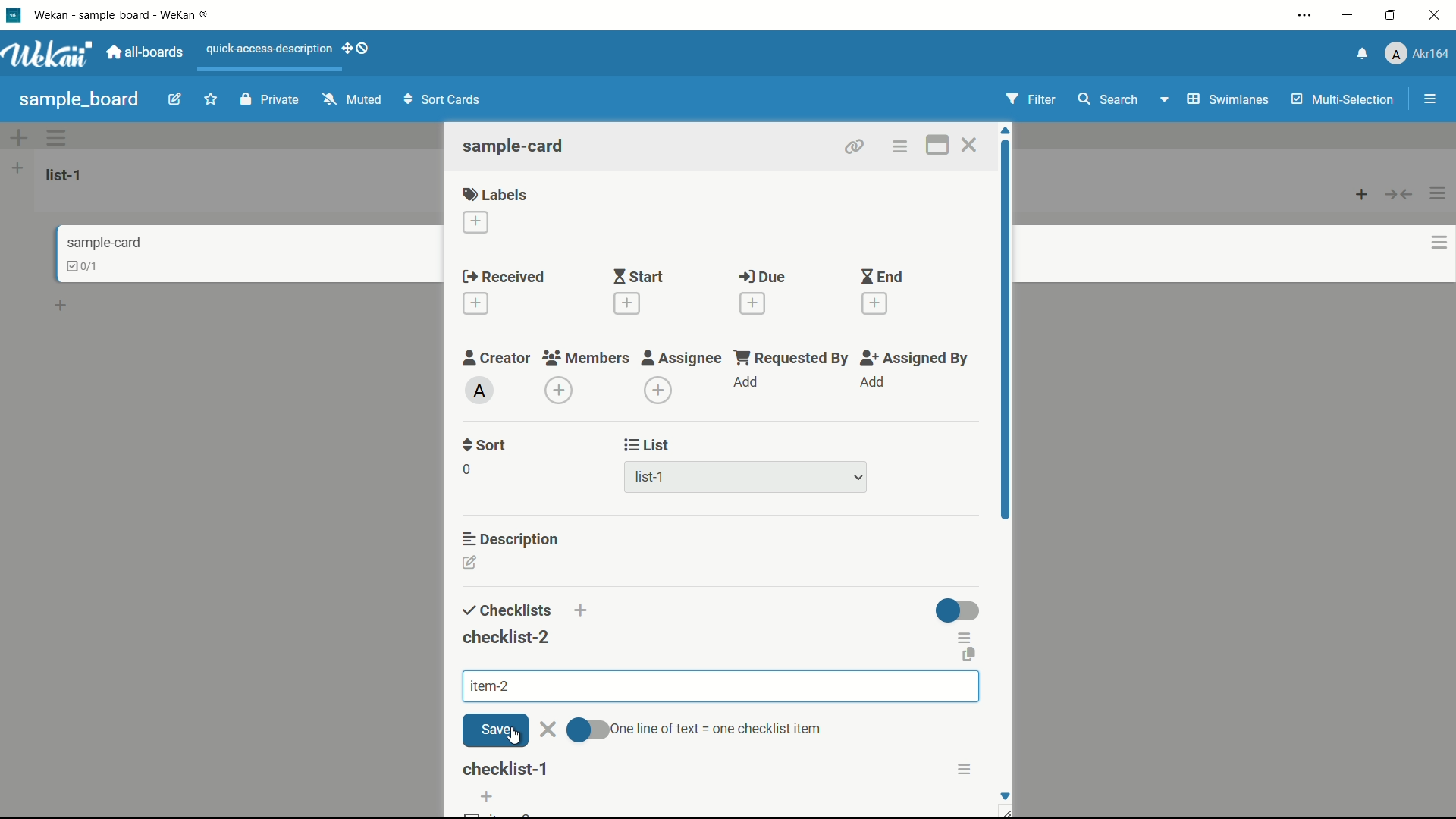 This screenshot has width=1456, height=819. What do you see at coordinates (747, 383) in the screenshot?
I see `add` at bounding box center [747, 383].